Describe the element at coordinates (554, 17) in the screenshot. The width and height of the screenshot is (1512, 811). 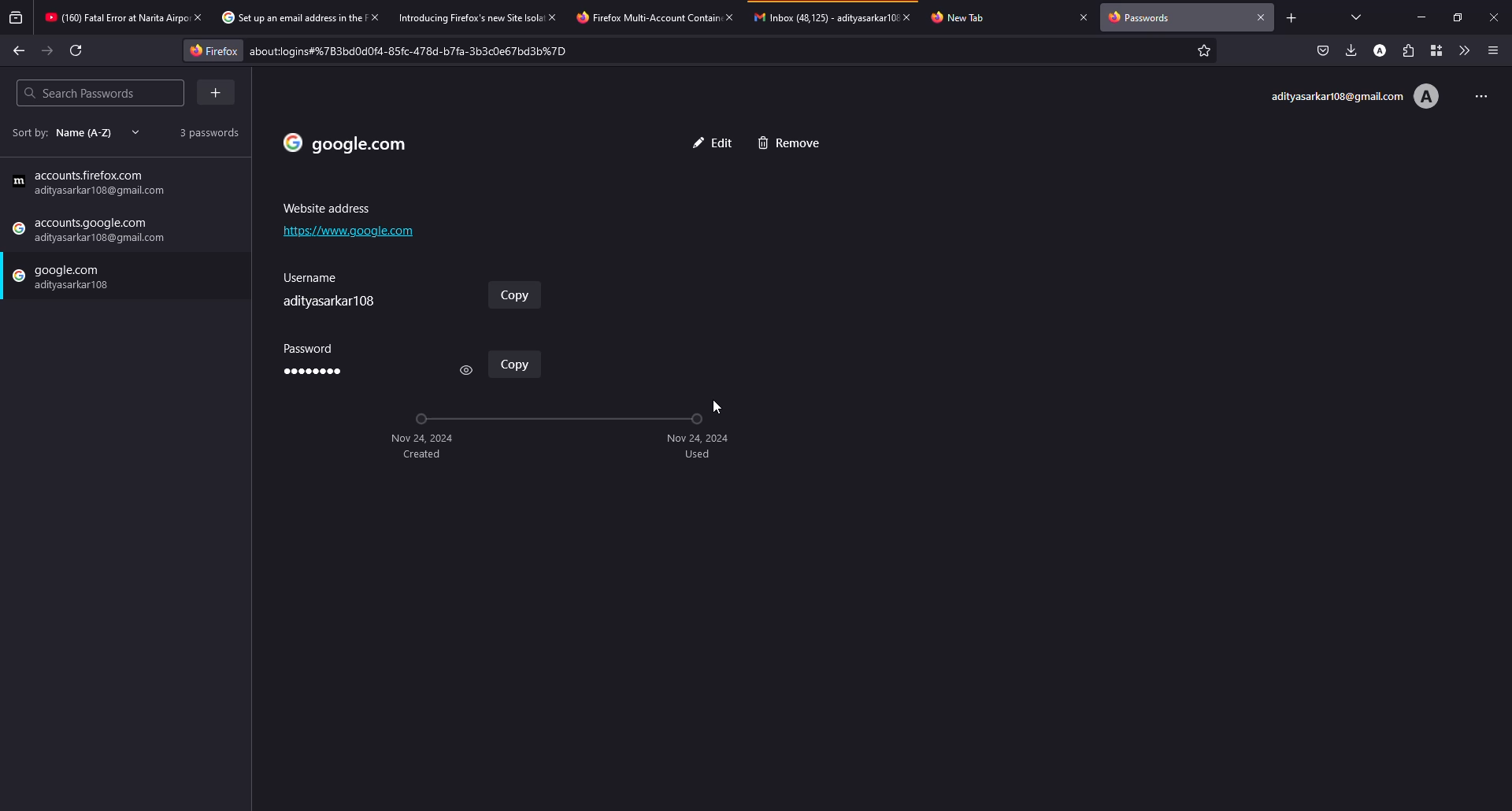
I see `close` at that location.